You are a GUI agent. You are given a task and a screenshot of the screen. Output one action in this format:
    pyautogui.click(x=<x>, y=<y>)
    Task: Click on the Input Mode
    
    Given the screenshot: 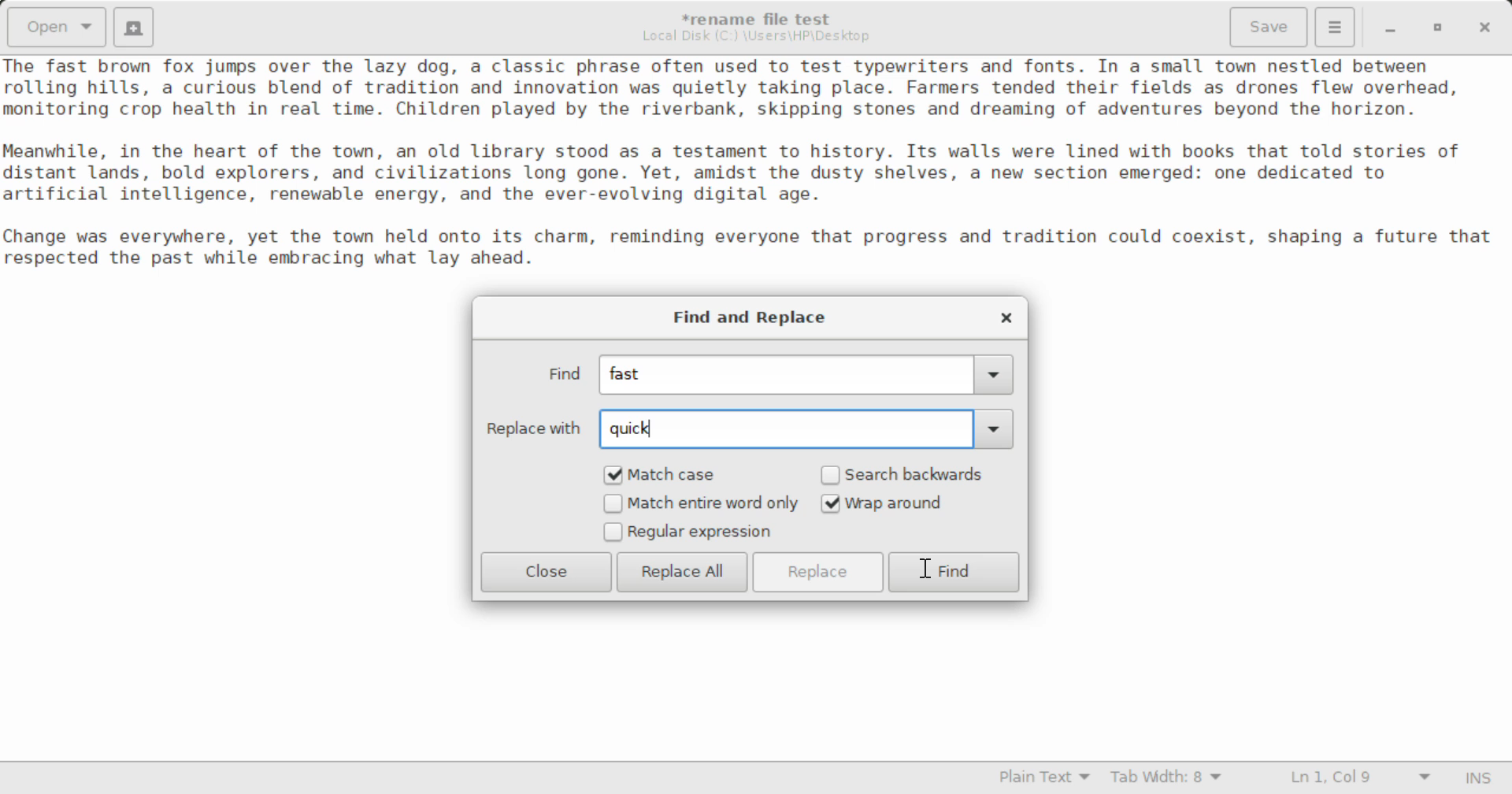 What is the action you would take?
    pyautogui.click(x=1482, y=776)
    